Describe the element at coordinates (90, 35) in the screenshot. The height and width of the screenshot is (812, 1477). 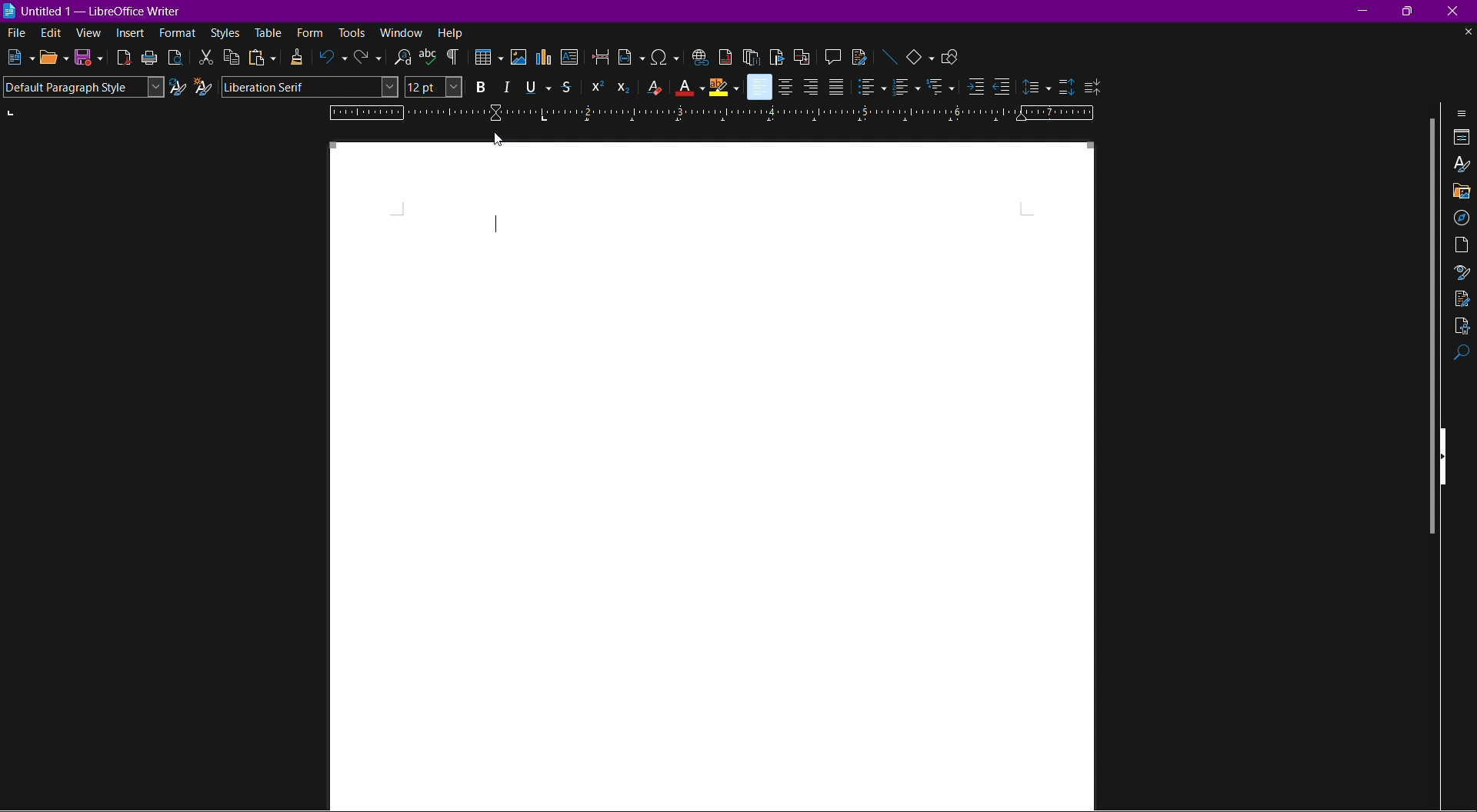
I see `view` at that location.